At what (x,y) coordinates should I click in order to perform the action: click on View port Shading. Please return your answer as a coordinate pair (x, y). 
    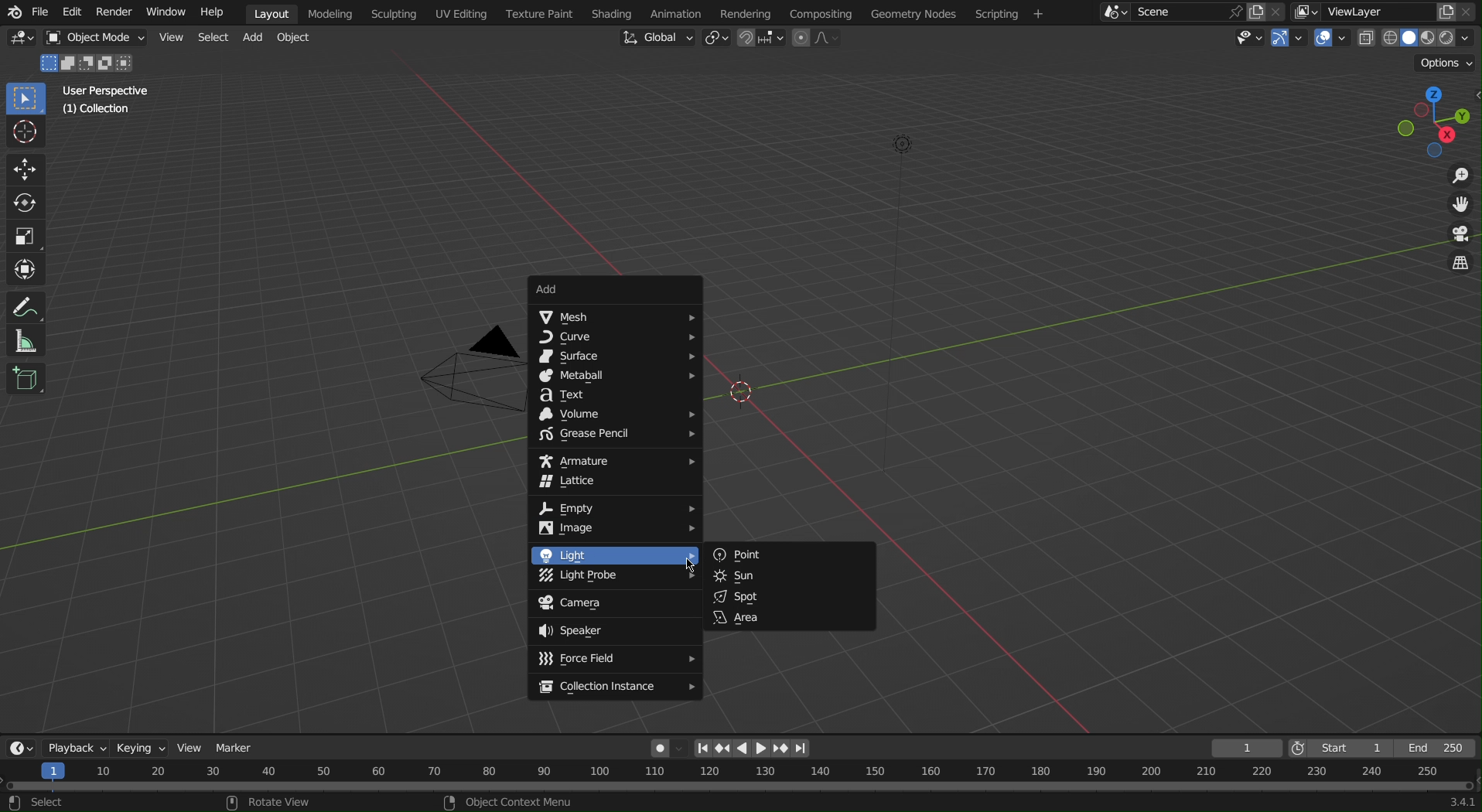
    Looking at the image, I should click on (1417, 39).